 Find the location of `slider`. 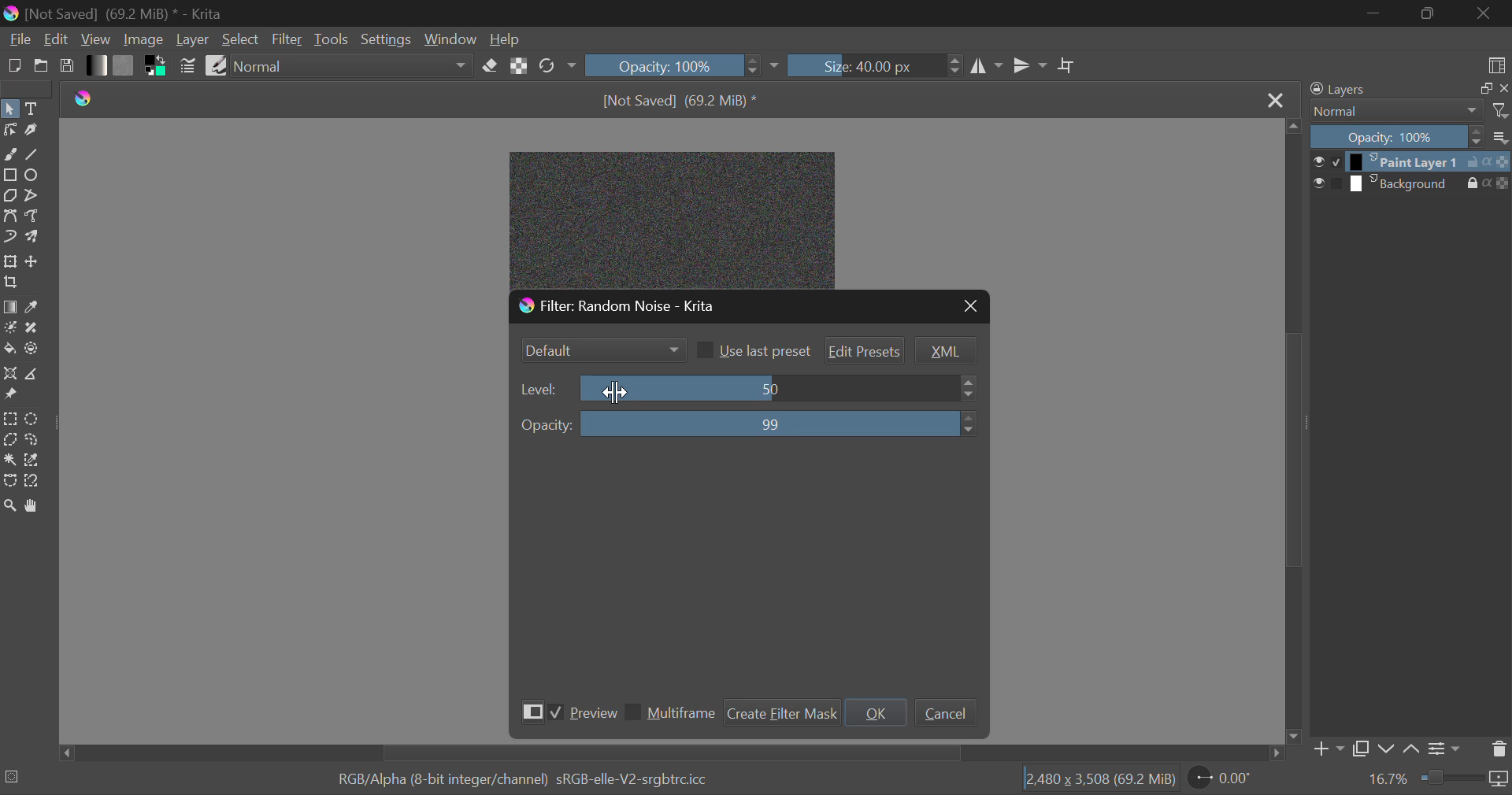

slider is located at coordinates (779, 387).